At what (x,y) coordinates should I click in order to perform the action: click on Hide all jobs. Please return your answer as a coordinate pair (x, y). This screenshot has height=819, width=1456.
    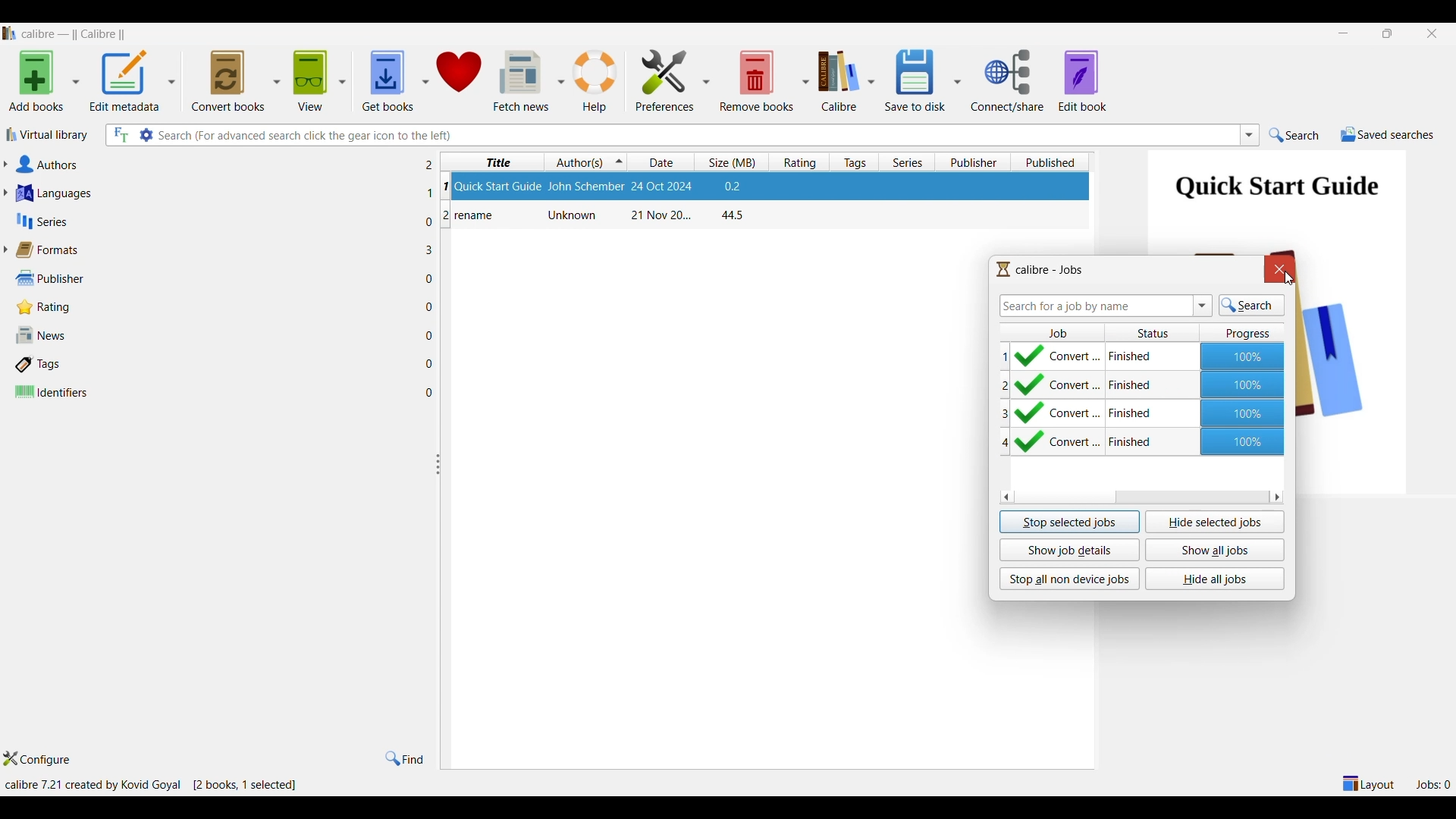
    Looking at the image, I should click on (1215, 579).